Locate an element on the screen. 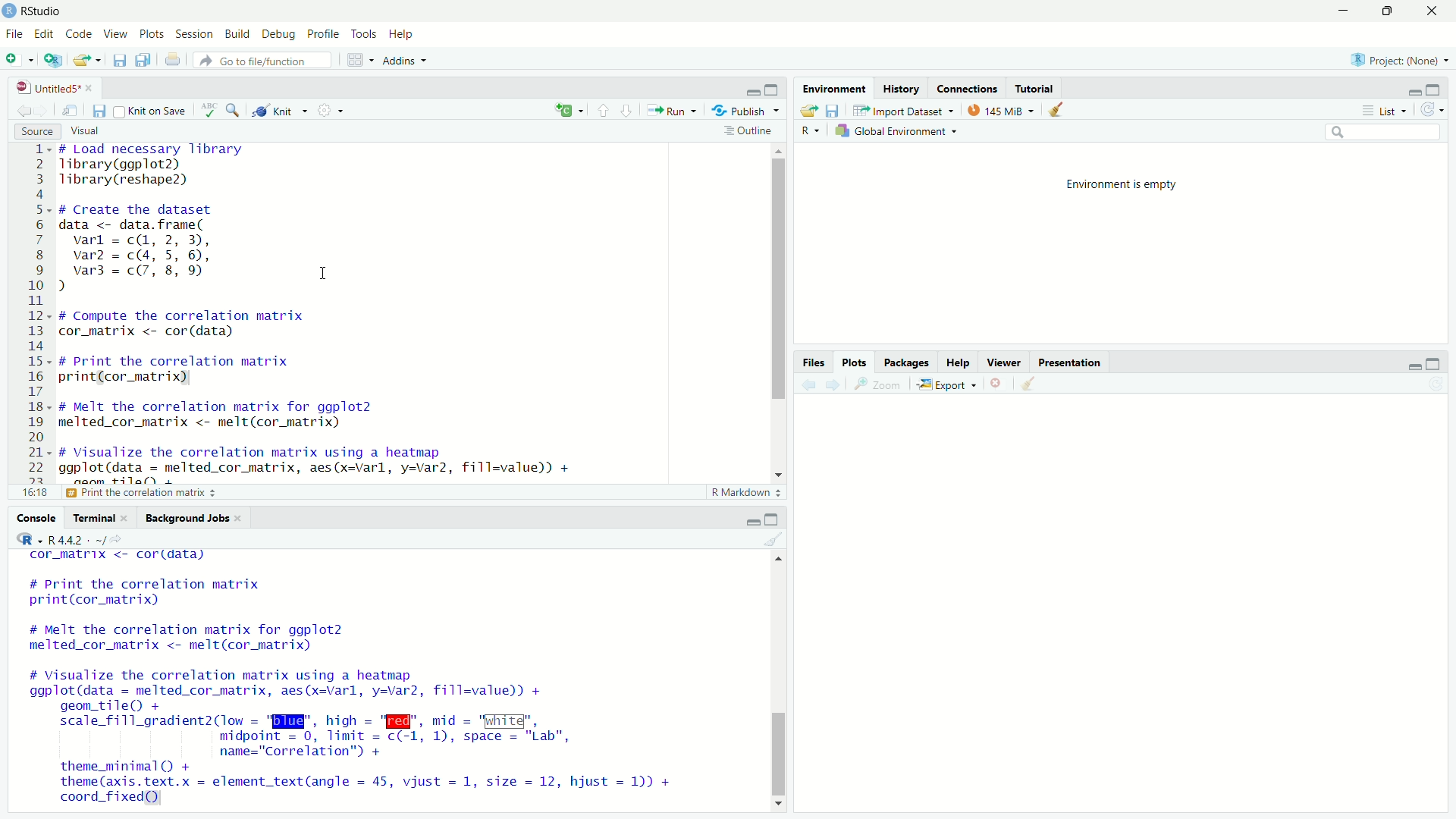 This screenshot has height=819, width=1456. maximize is located at coordinates (773, 88).